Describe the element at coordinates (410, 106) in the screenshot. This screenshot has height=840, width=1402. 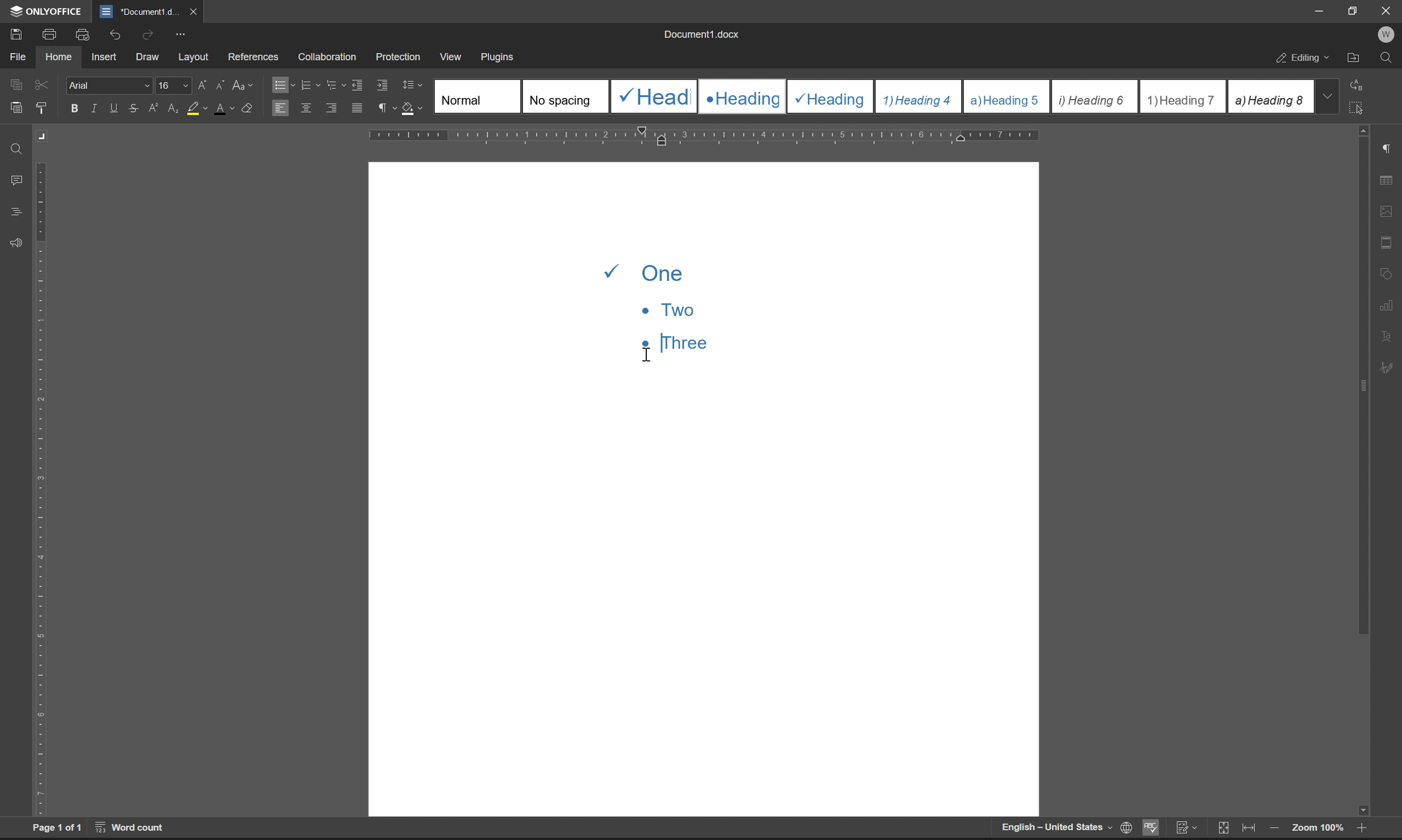
I see `shading` at that location.